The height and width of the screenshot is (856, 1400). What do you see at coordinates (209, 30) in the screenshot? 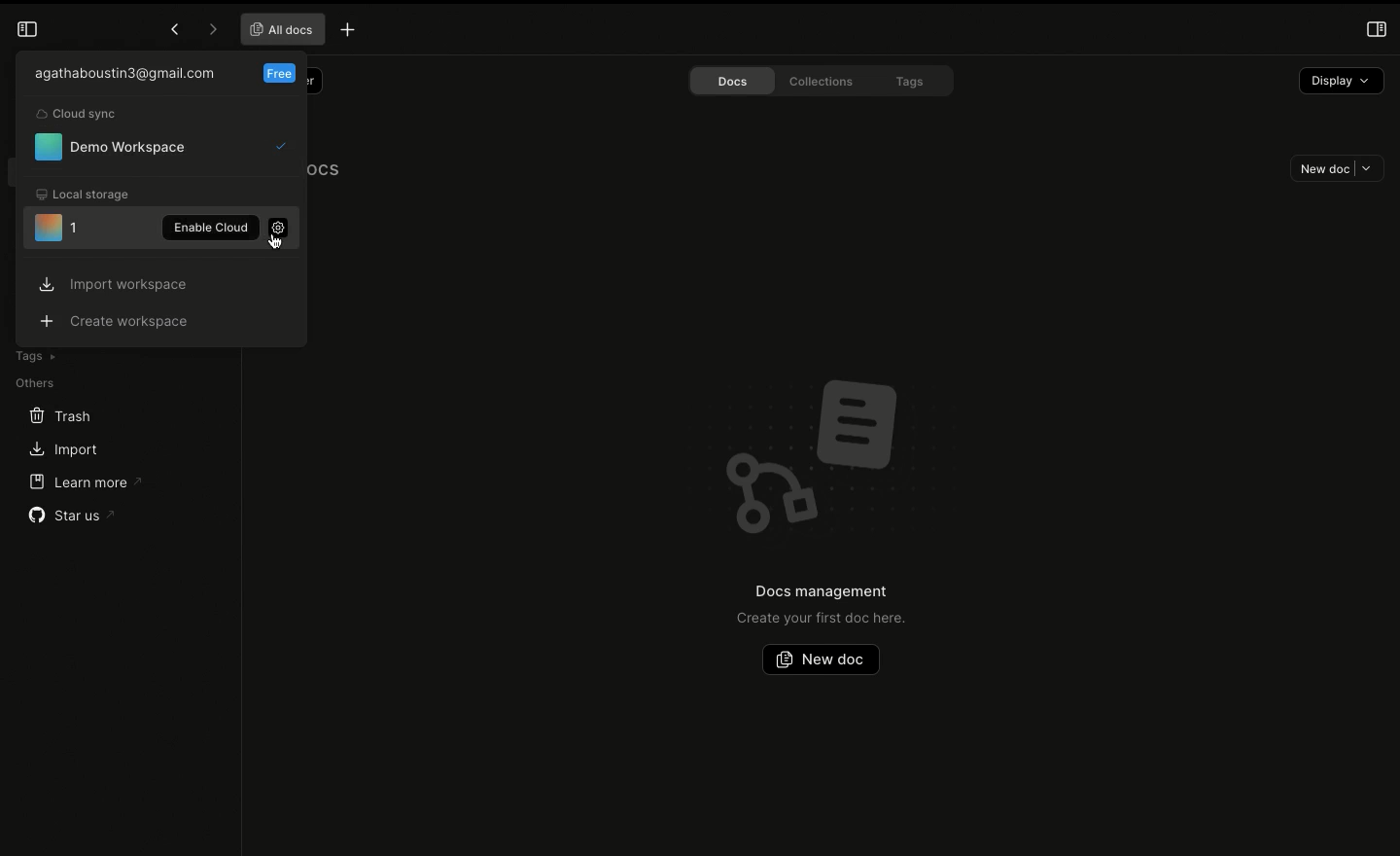
I see `Forward` at bounding box center [209, 30].